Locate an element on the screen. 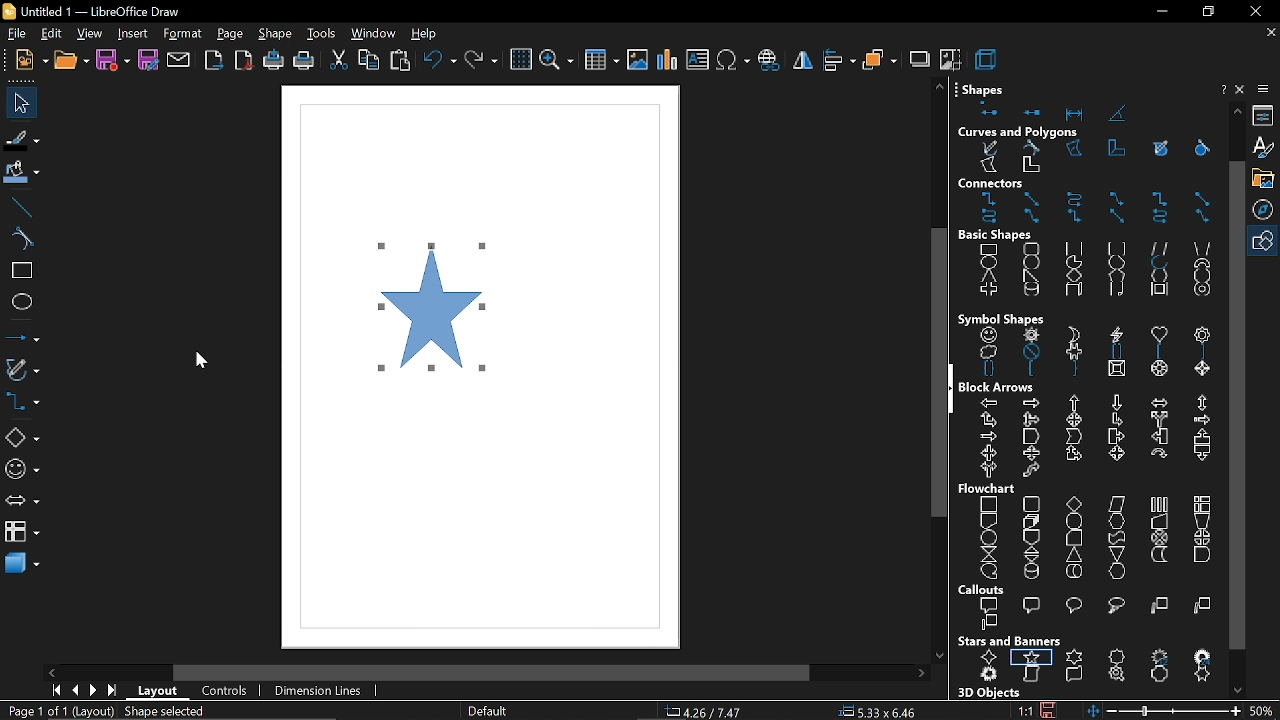 The image size is (1280, 720). help  is located at coordinates (1222, 89).